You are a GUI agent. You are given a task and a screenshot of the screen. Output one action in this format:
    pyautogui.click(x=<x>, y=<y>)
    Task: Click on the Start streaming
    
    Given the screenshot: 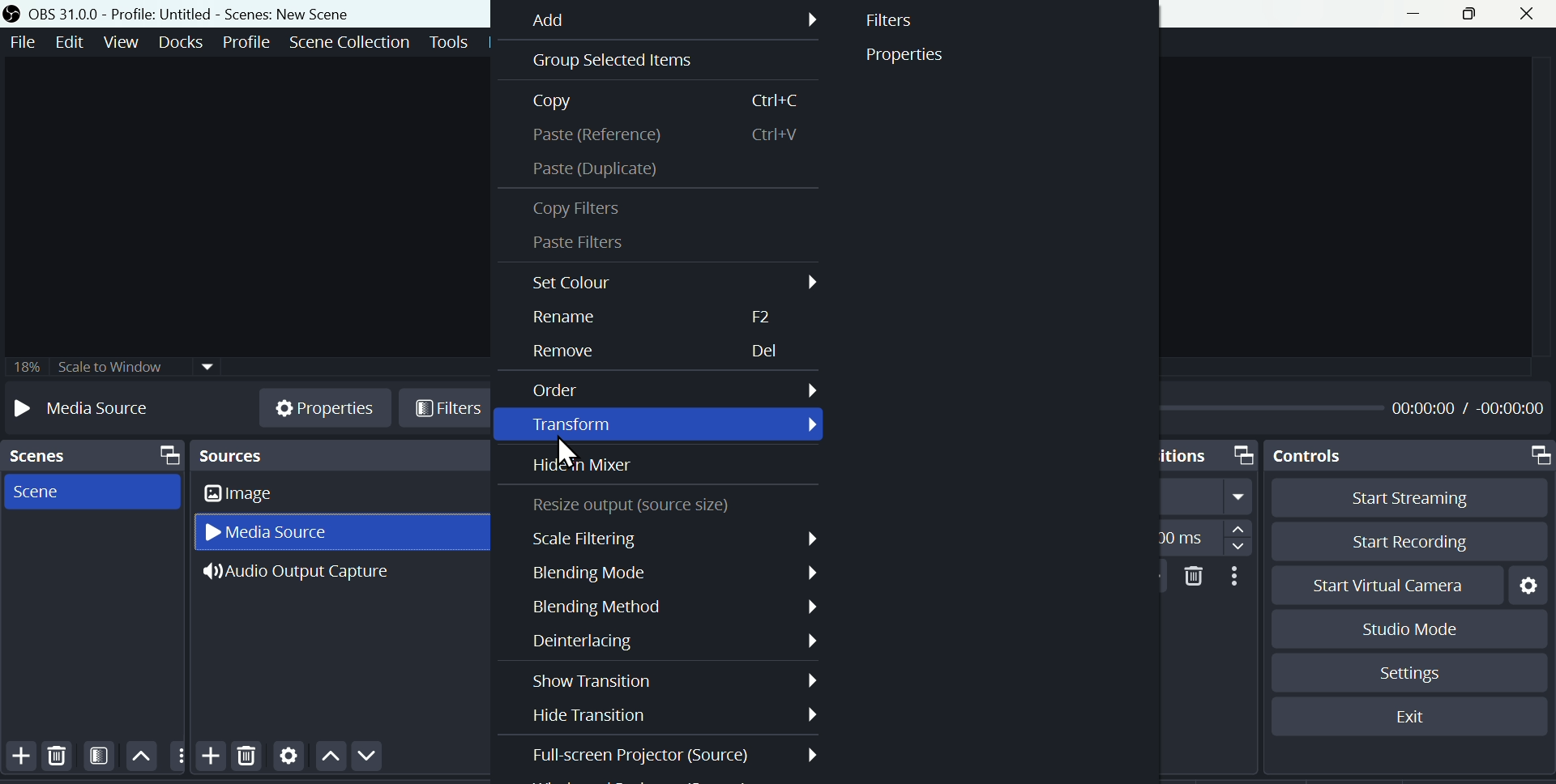 What is the action you would take?
    pyautogui.click(x=1400, y=498)
    